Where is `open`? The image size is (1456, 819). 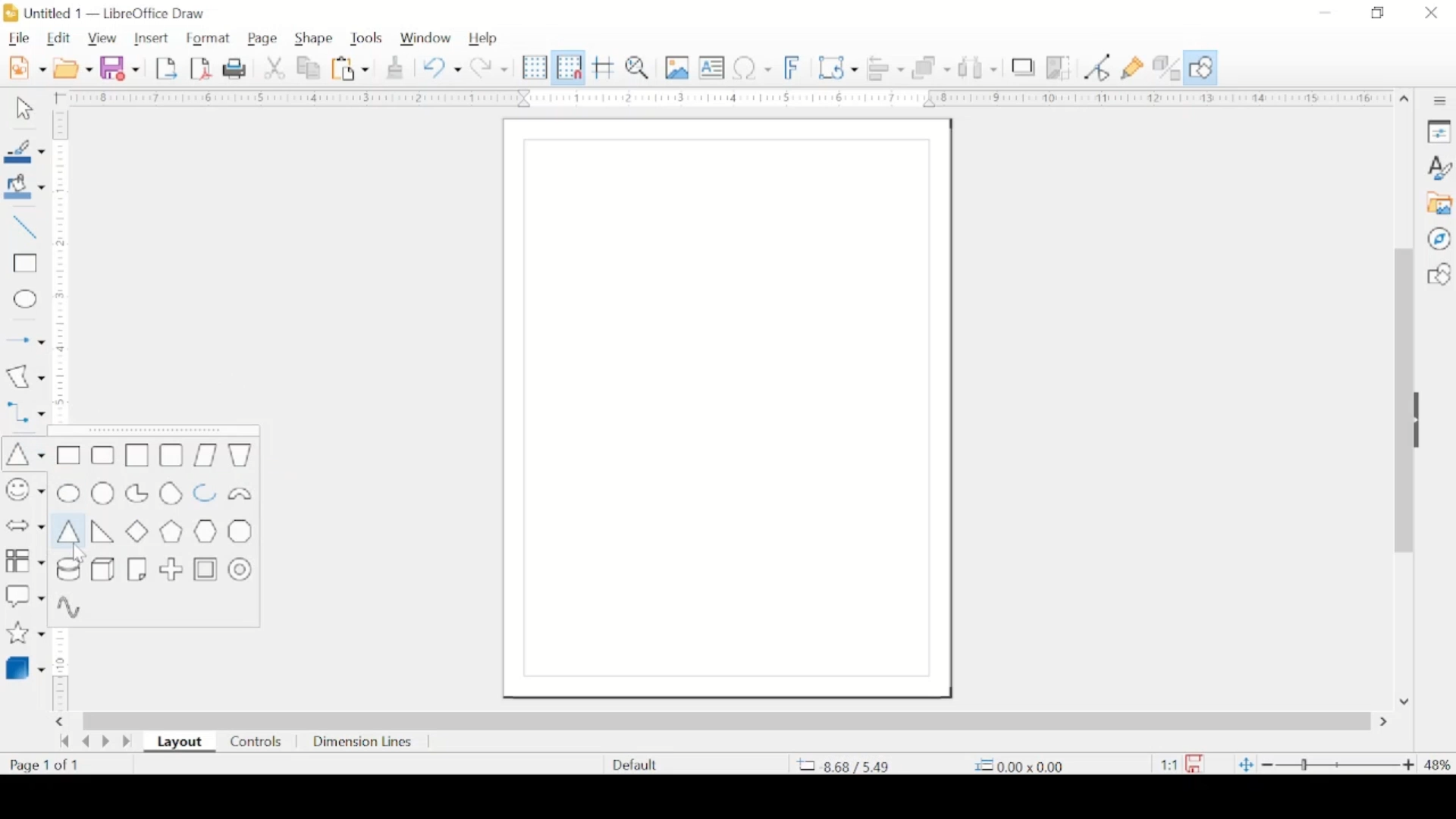
open is located at coordinates (73, 68).